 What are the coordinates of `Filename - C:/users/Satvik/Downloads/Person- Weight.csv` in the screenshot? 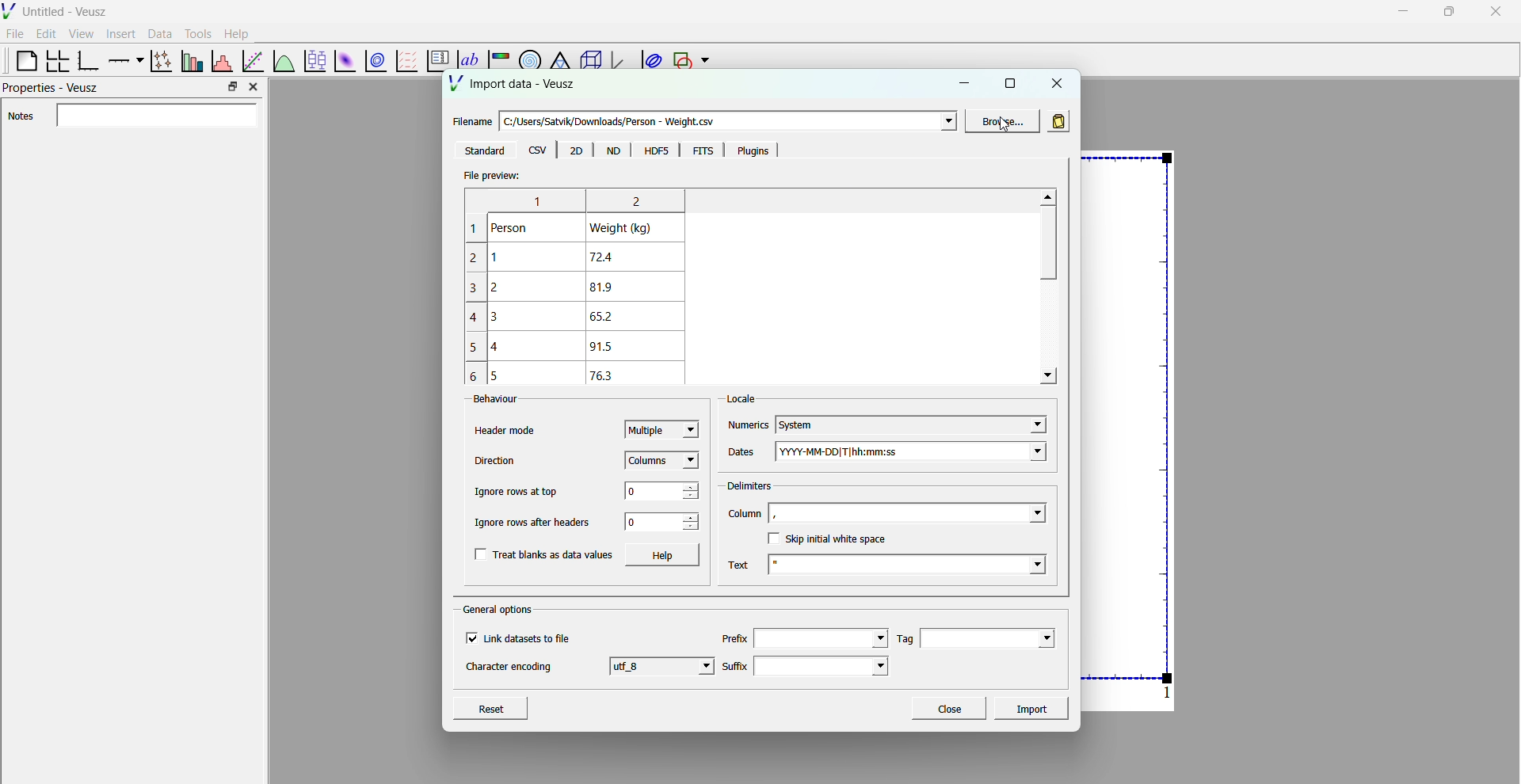 It's located at (603, 116).